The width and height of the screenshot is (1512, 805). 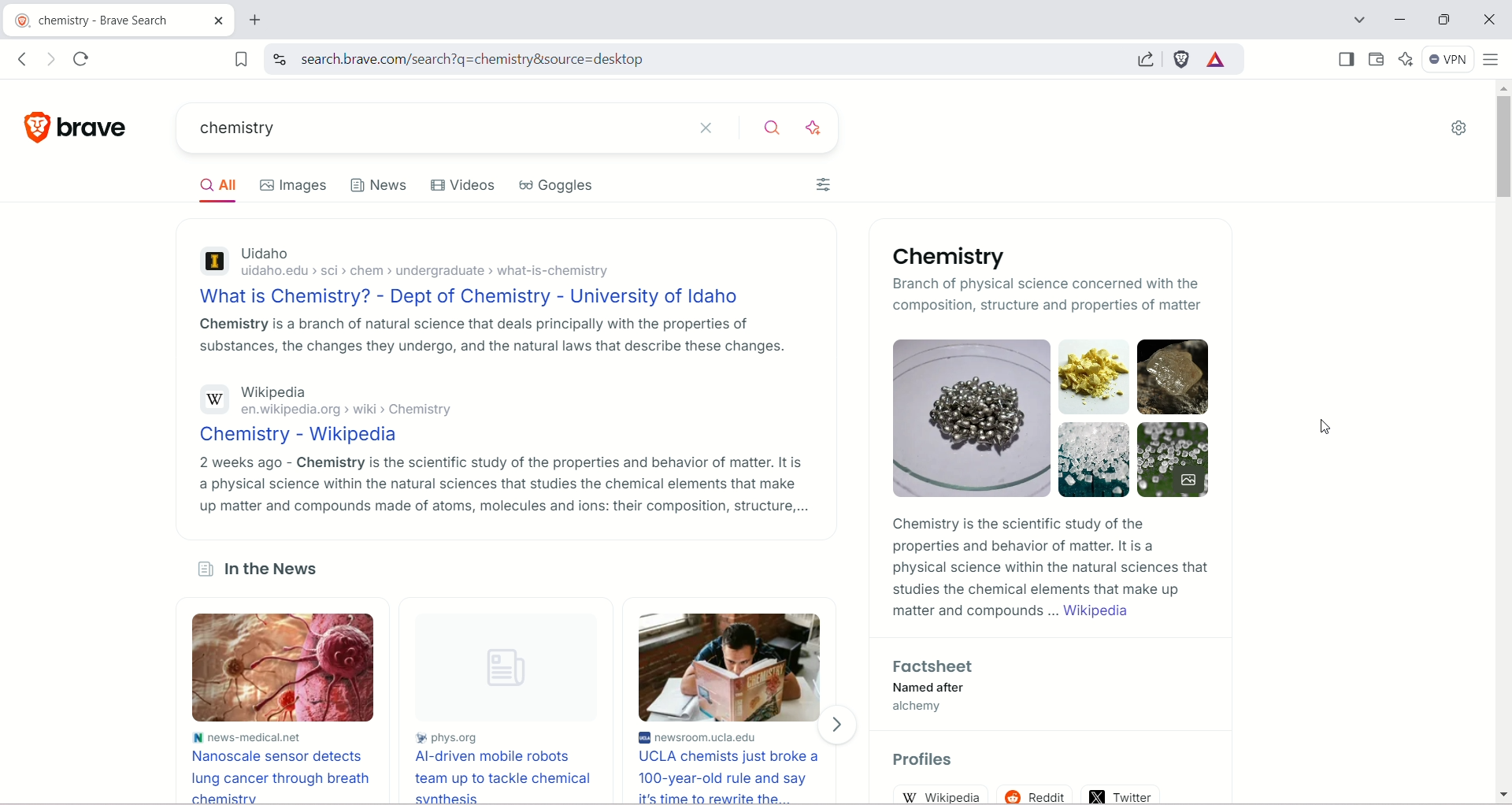 I want to click on Lung cancer link, so click(x=276, y=777).